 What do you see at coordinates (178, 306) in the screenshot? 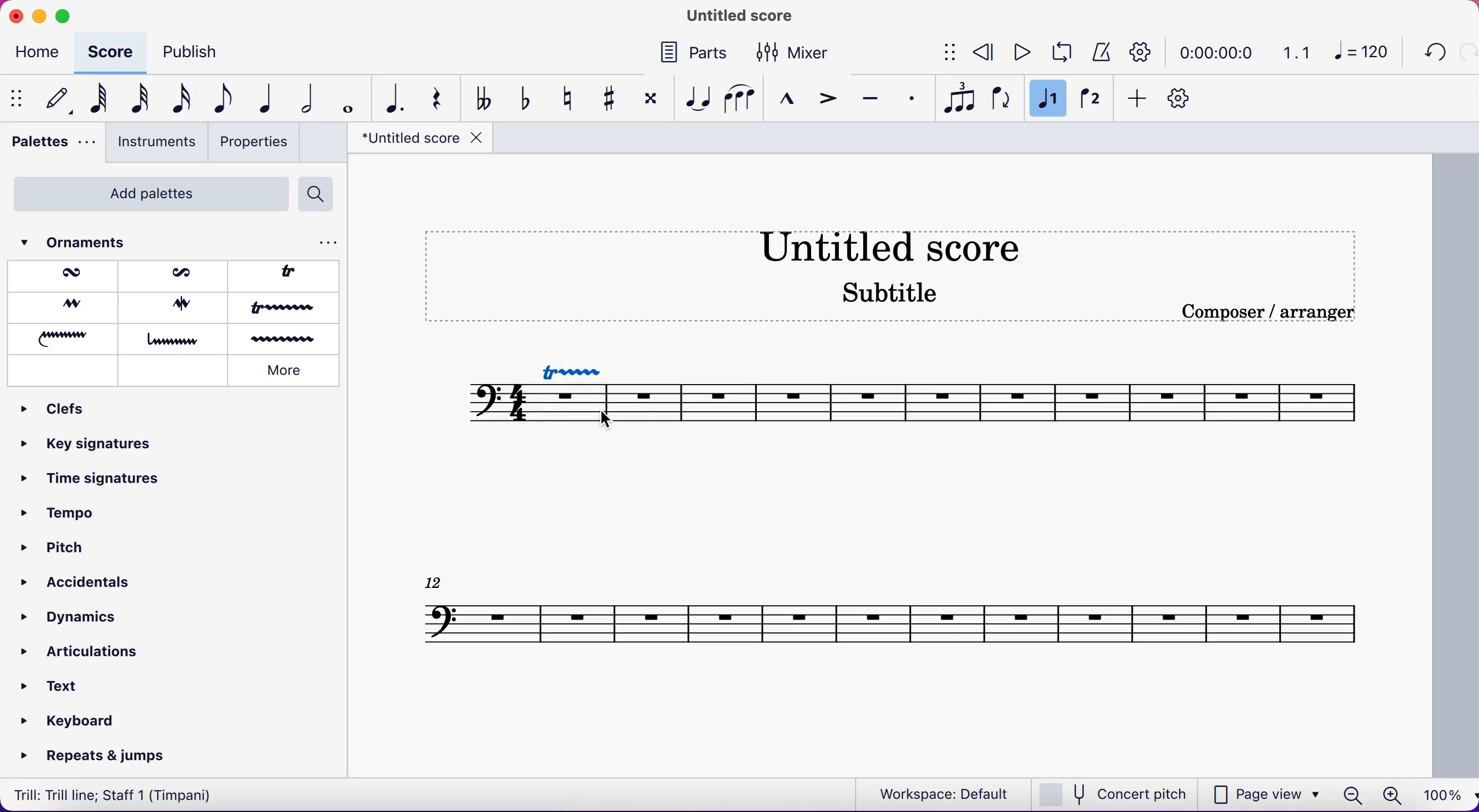
I see `inverted turn` at bounding box center [178, 306].